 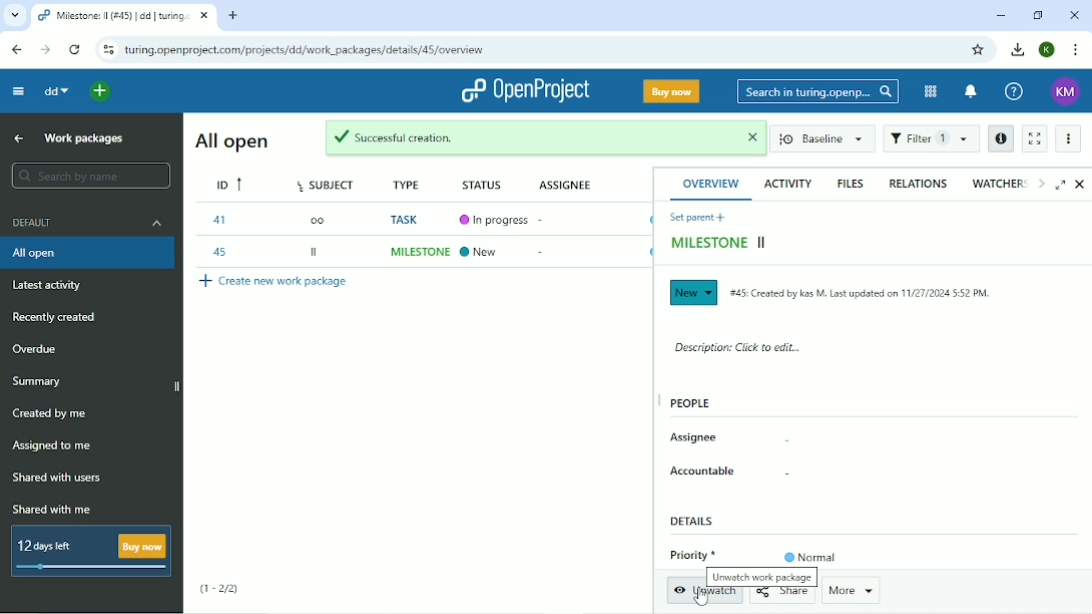 I want to click on 41, so click(x=219, y=219).